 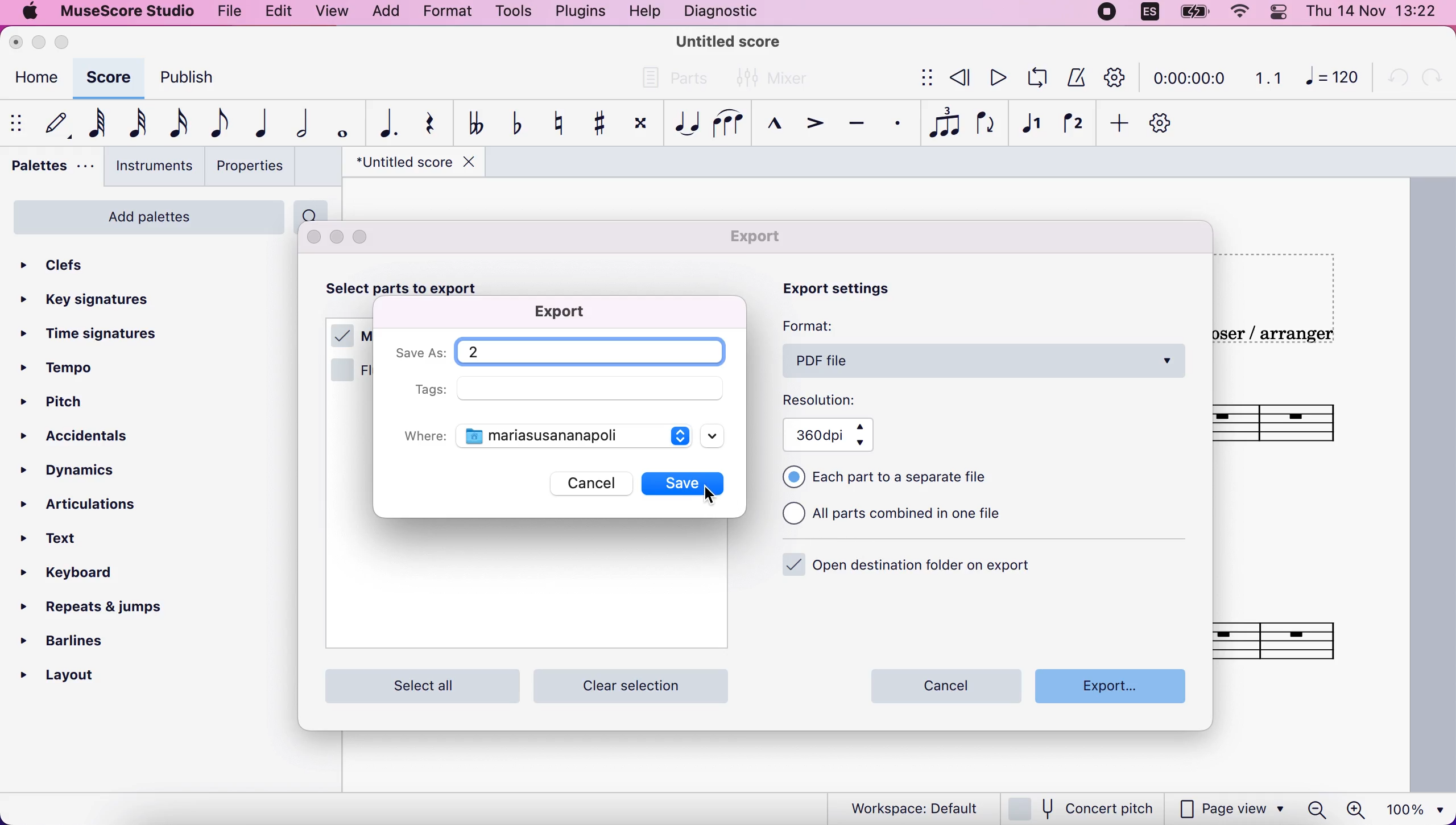 What do you see at coordinates (1165, 122) in the screenshot?
I see `customize toolbar` at bounding box center [1165, 122].